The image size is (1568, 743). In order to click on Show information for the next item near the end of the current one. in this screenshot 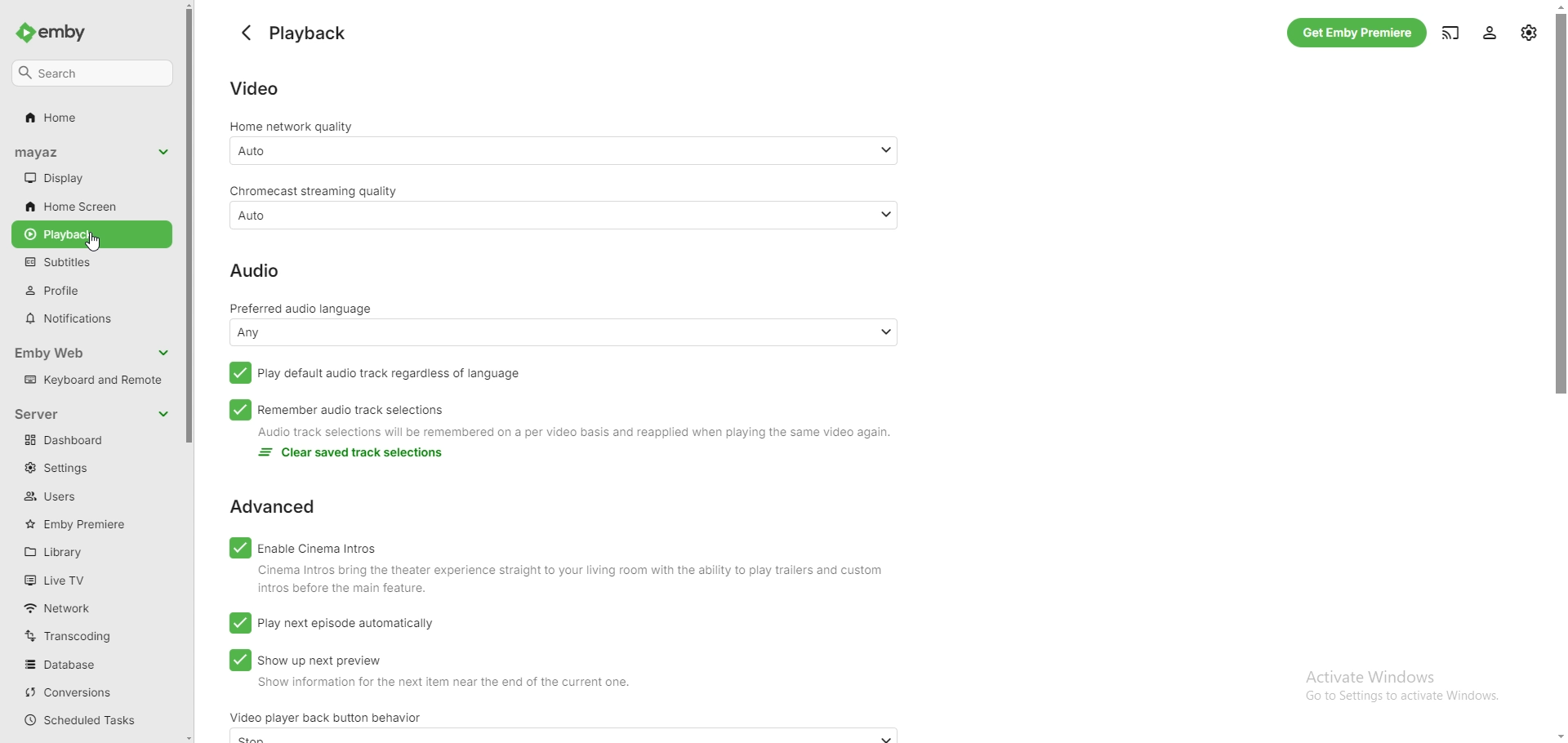, I will do `click(435, 686)`.